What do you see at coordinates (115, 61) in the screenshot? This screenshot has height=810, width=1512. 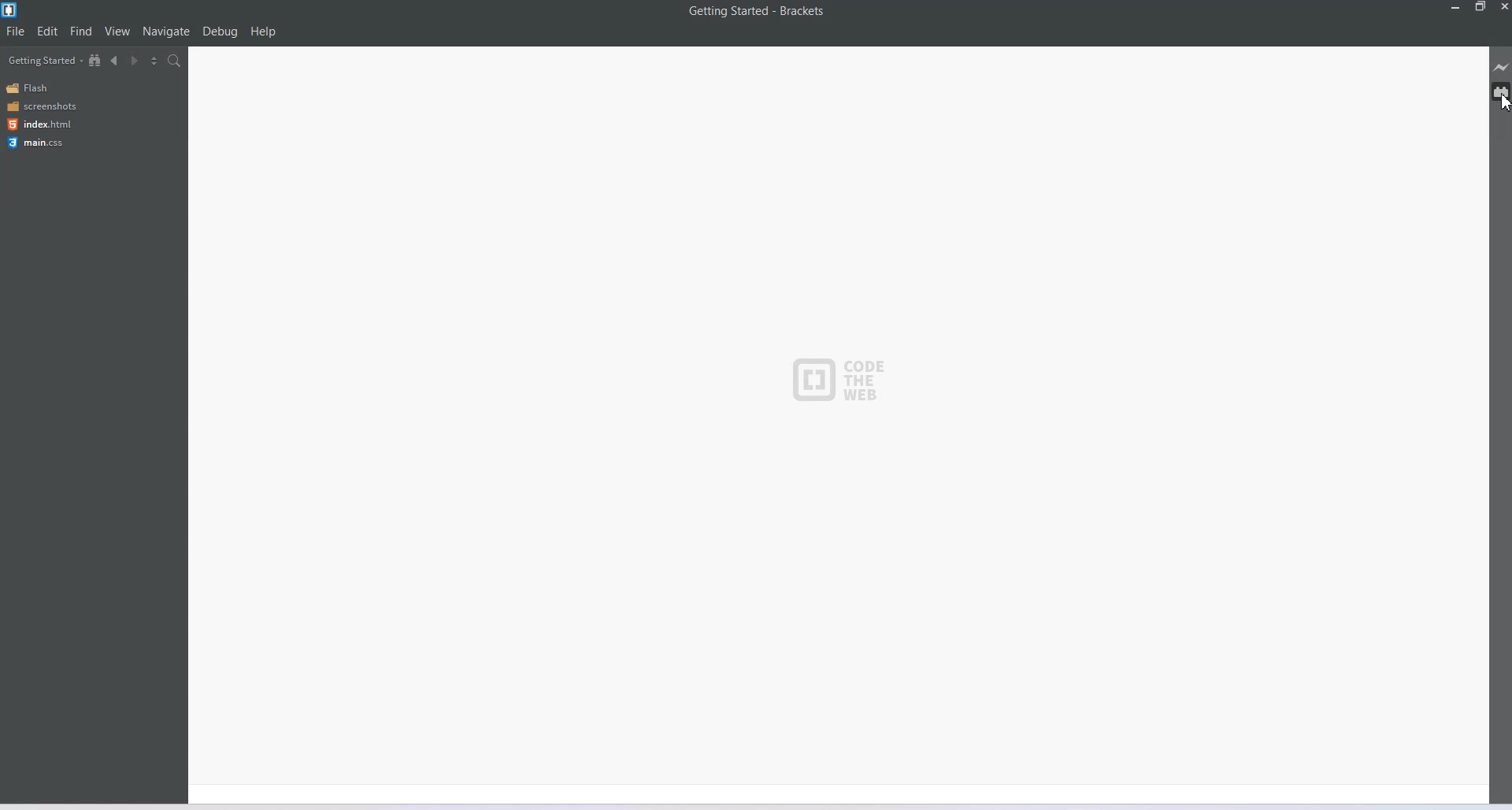 I see `Navigate Backwards` at bounding box center [115, 61].